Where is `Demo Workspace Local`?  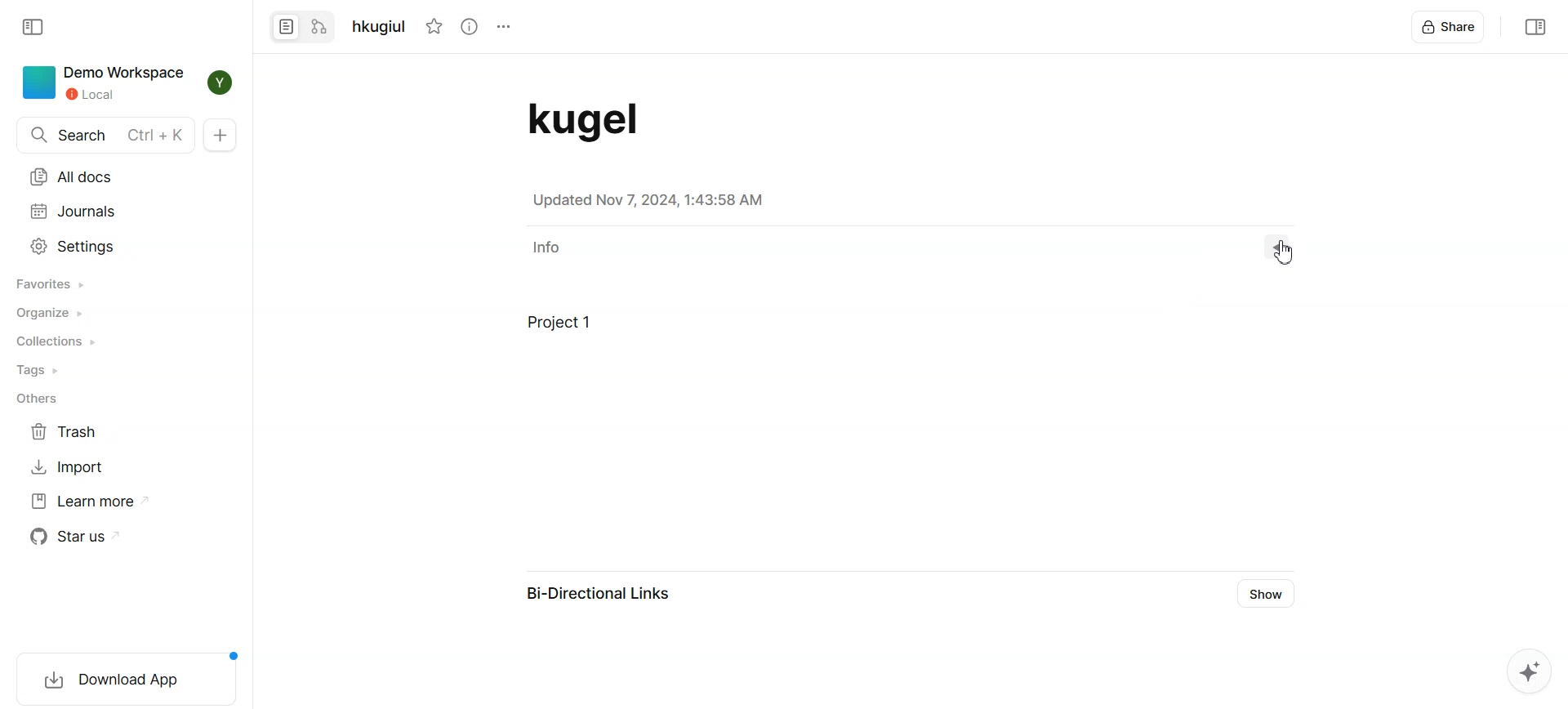 Demo Workspace Local is located at coordinates (102, 82).